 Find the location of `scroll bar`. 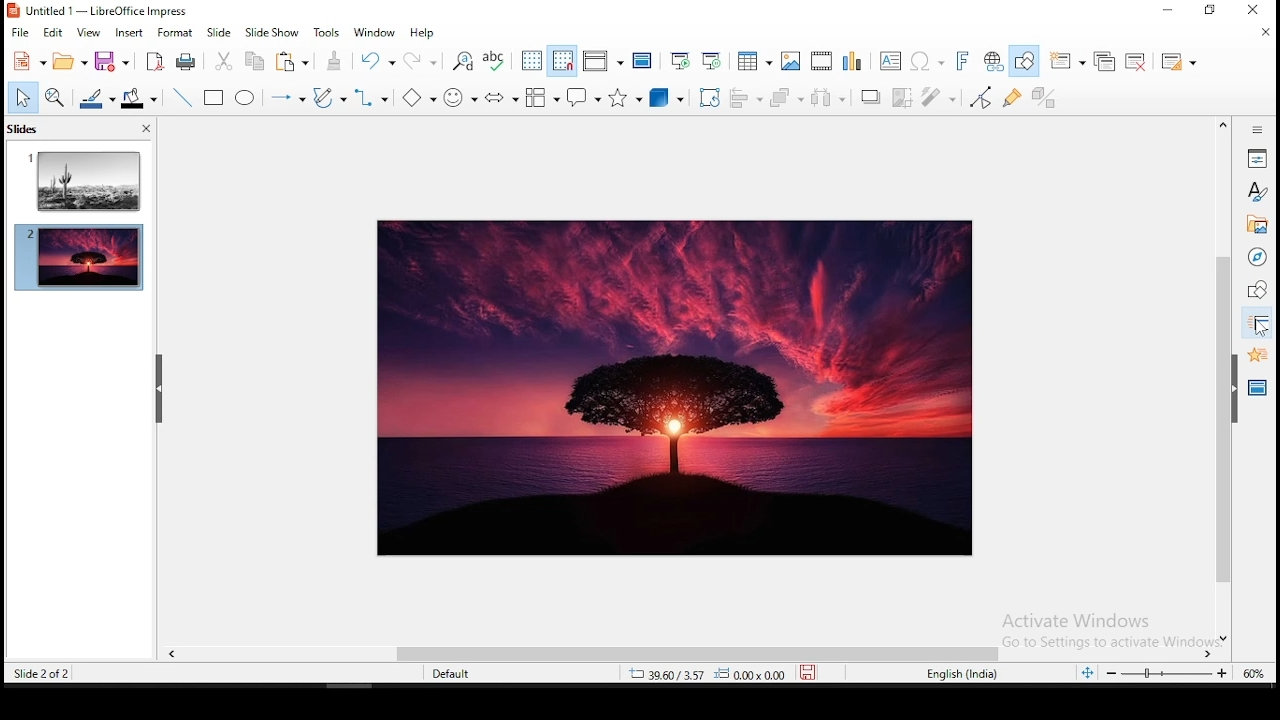

scroll bar is located at coordinates (1223, 380).